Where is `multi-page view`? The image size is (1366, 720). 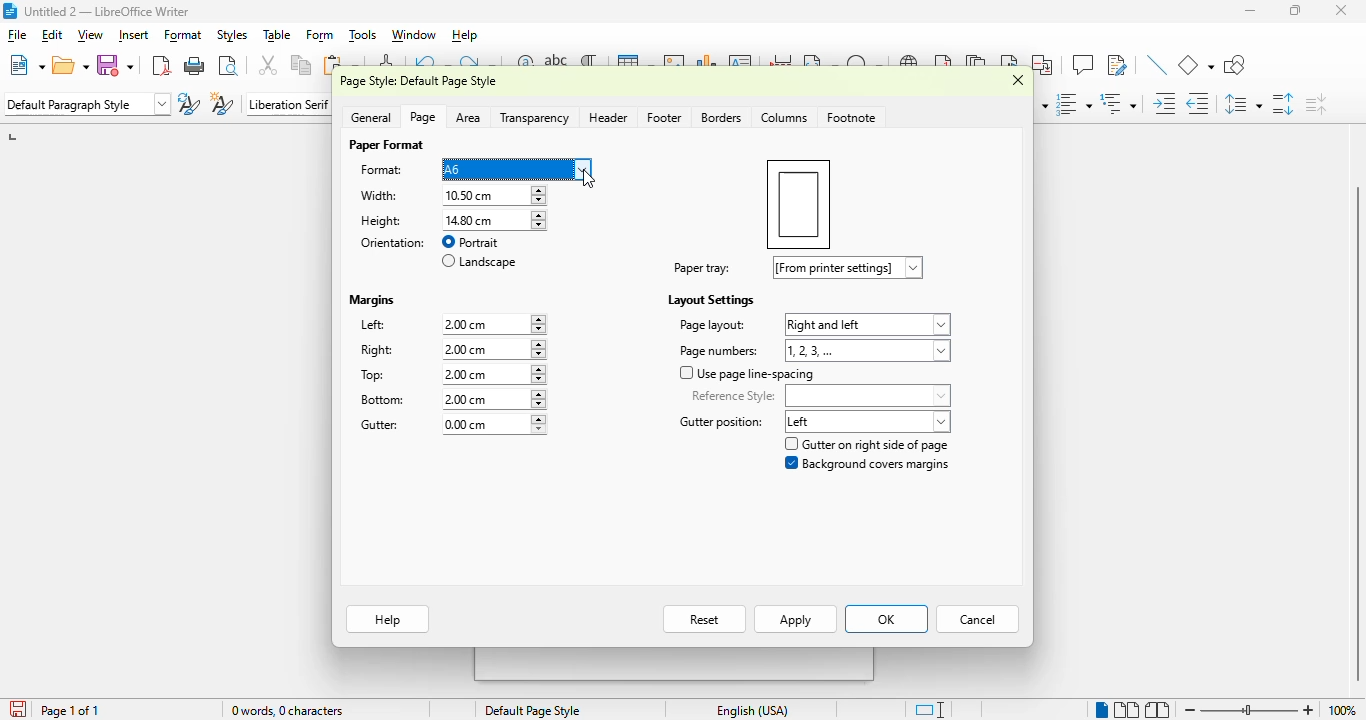
multi-page view is located at coordinates (1126, 710).